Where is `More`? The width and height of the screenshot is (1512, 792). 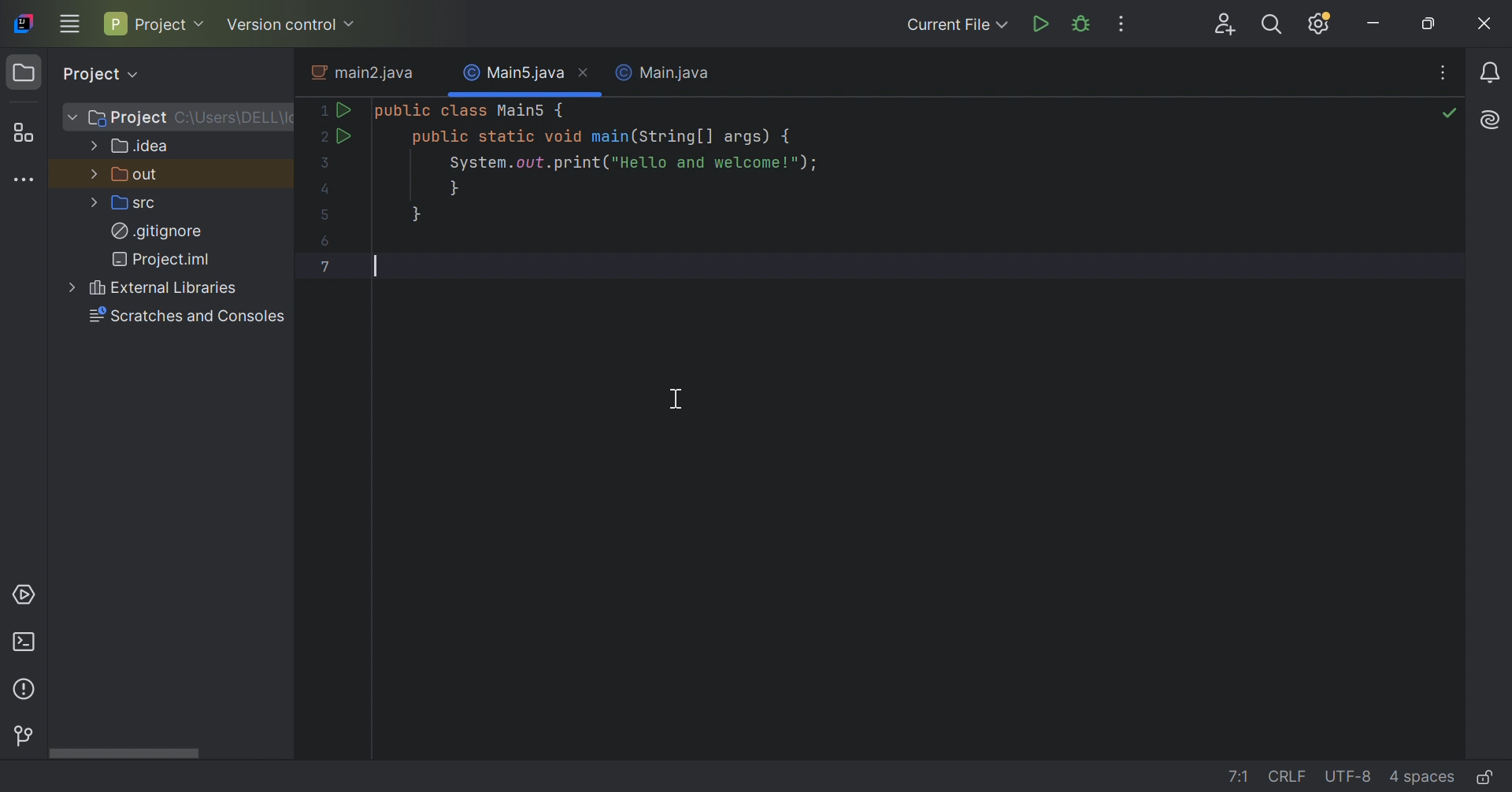
More is located at coordinates (92, 172).